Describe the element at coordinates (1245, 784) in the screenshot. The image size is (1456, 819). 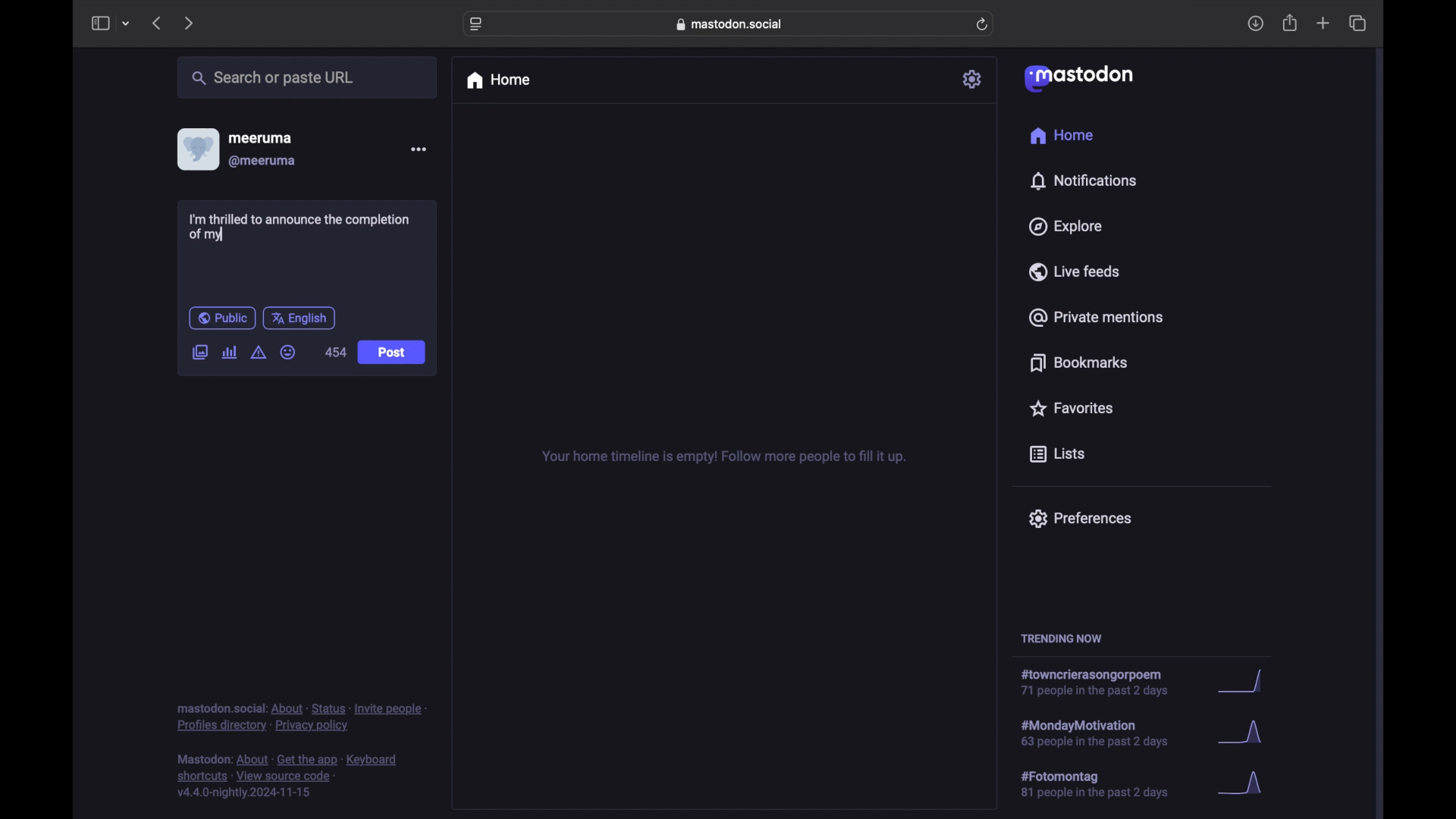
I see `graph` at that location.